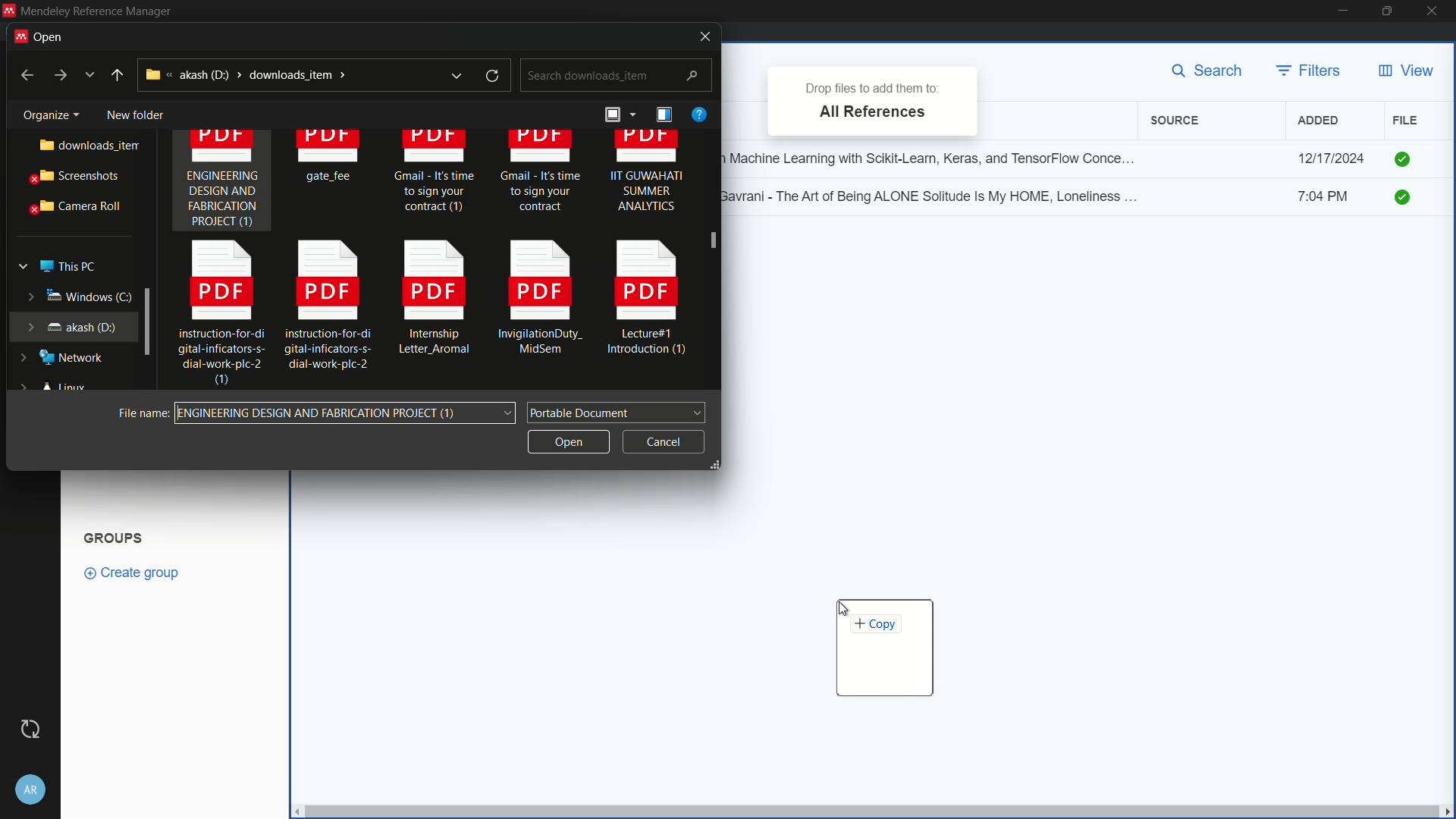 This screenshot has width=1456, height=819. I want to click on close, so click(700, 36).